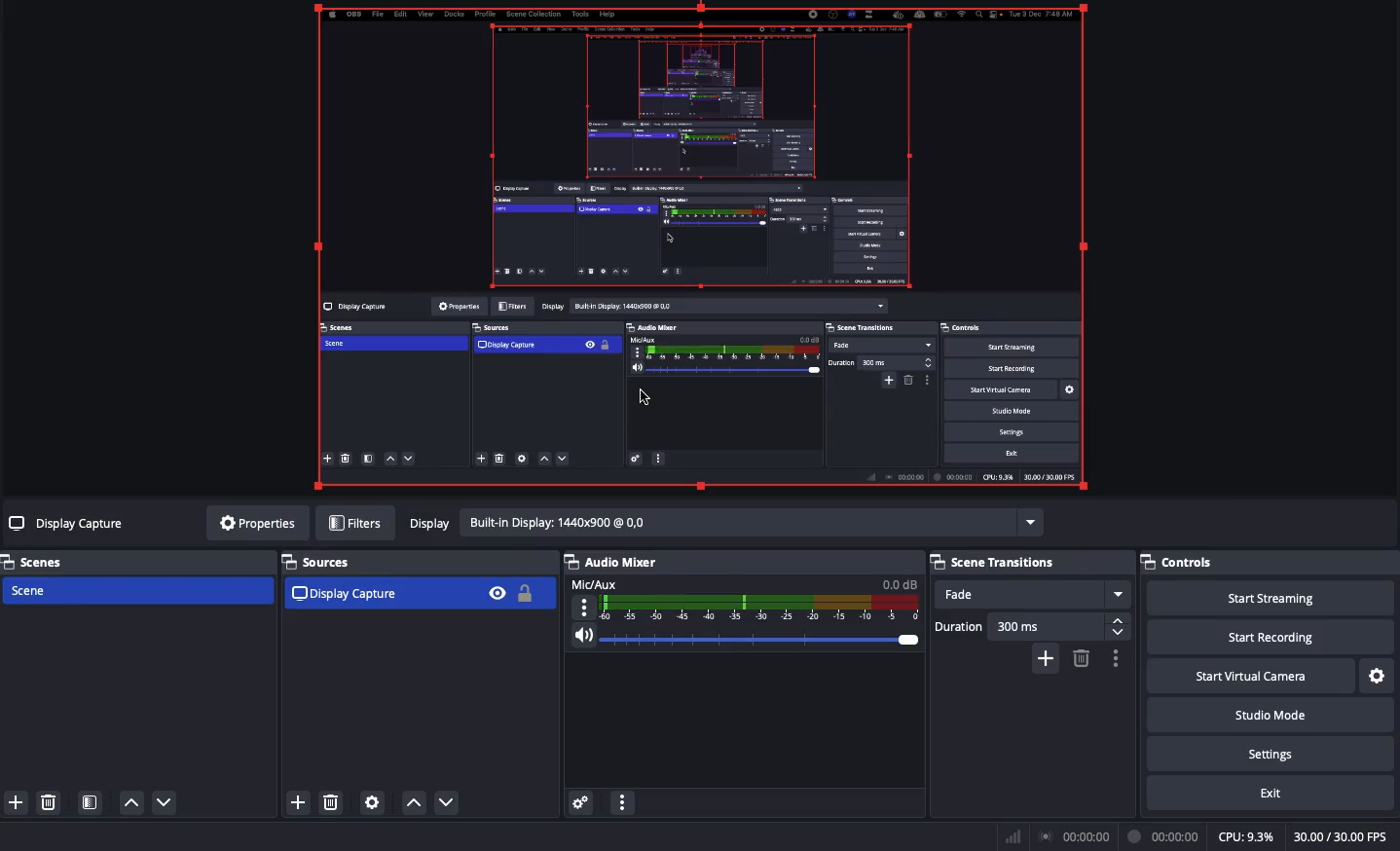  What do you see at coordinates (723, 527) in the screenshot?
I see `display` at bounding box center [723, 527].